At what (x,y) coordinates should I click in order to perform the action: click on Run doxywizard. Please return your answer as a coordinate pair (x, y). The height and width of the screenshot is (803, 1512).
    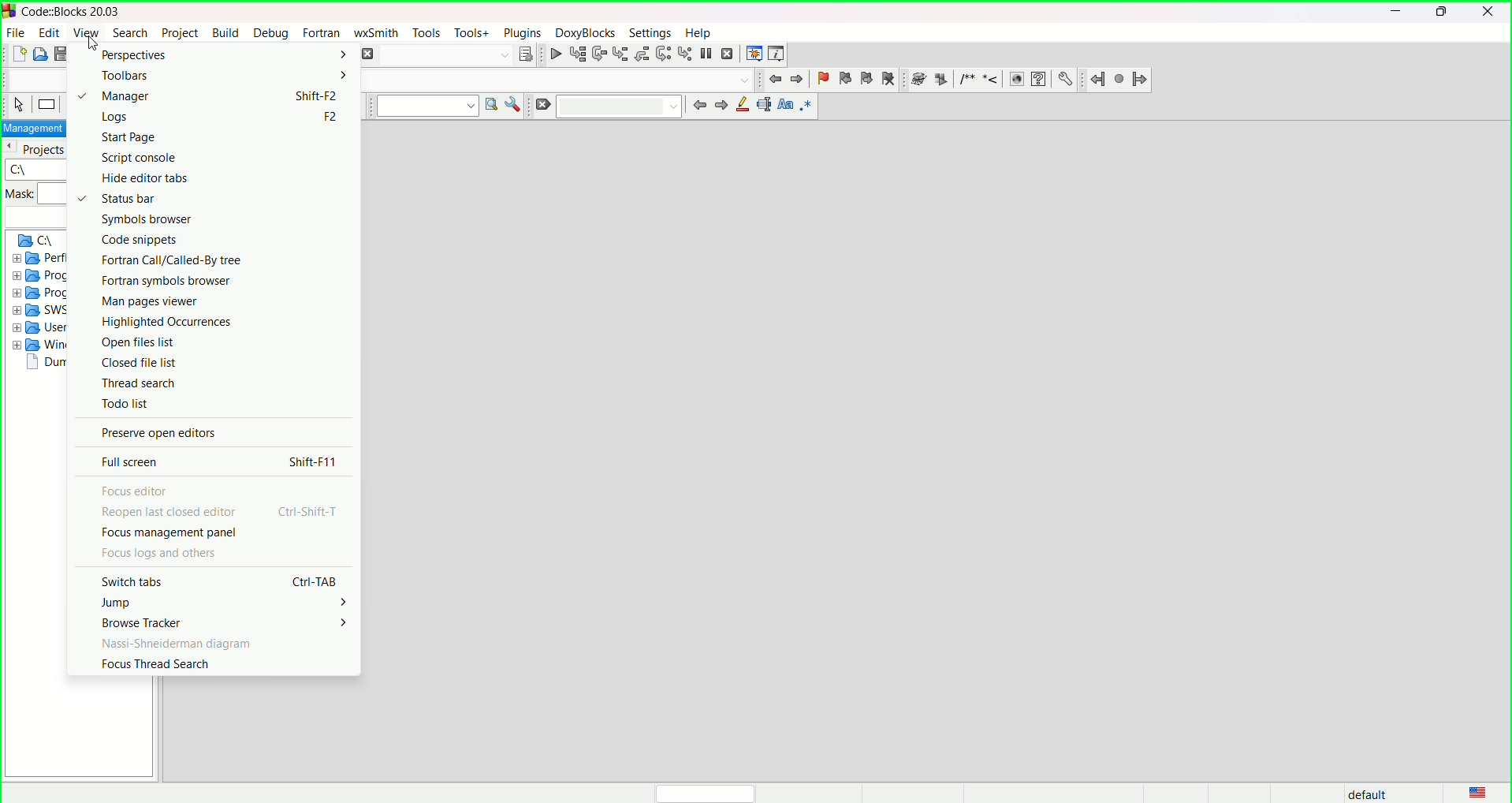
    Looking at the image, I should click on (918, 79).